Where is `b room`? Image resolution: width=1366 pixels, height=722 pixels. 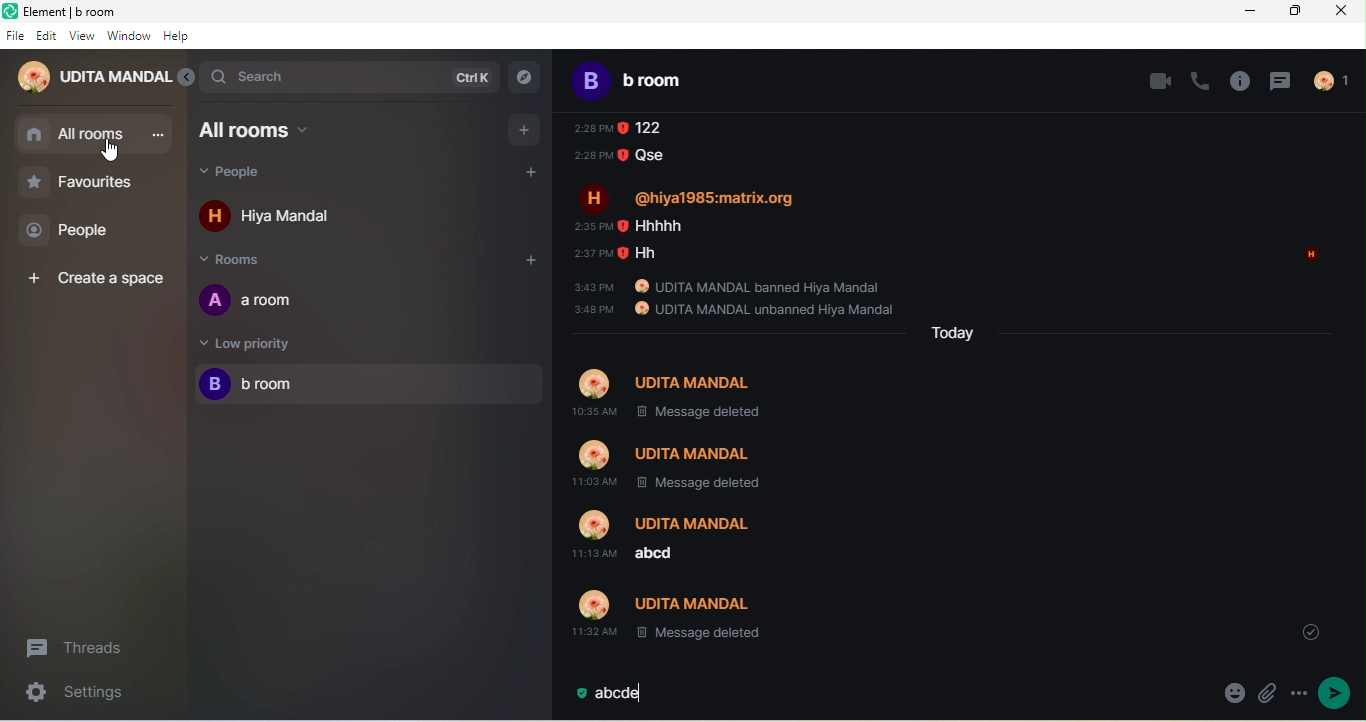 b room is located at coordinates (648, 83).